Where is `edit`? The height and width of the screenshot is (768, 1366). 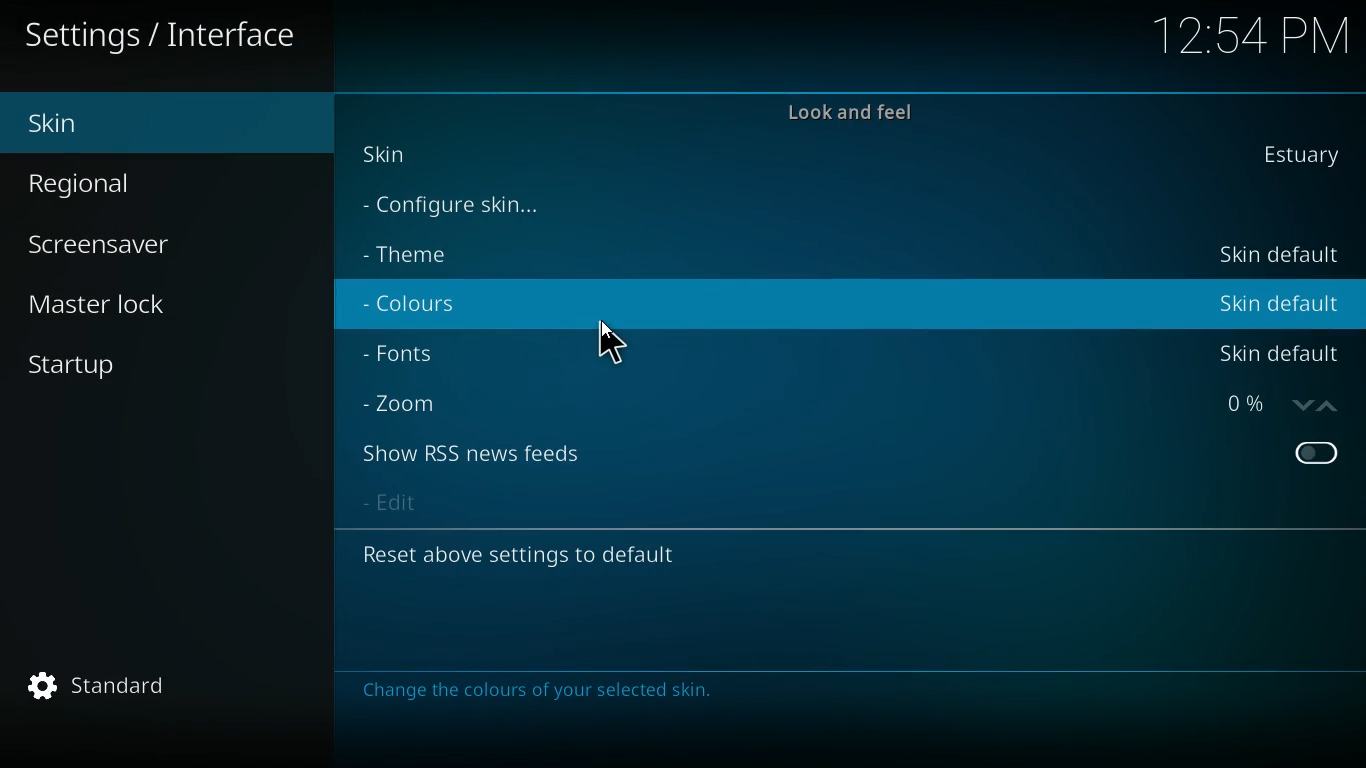 edit is located at coordinates (403, 505).